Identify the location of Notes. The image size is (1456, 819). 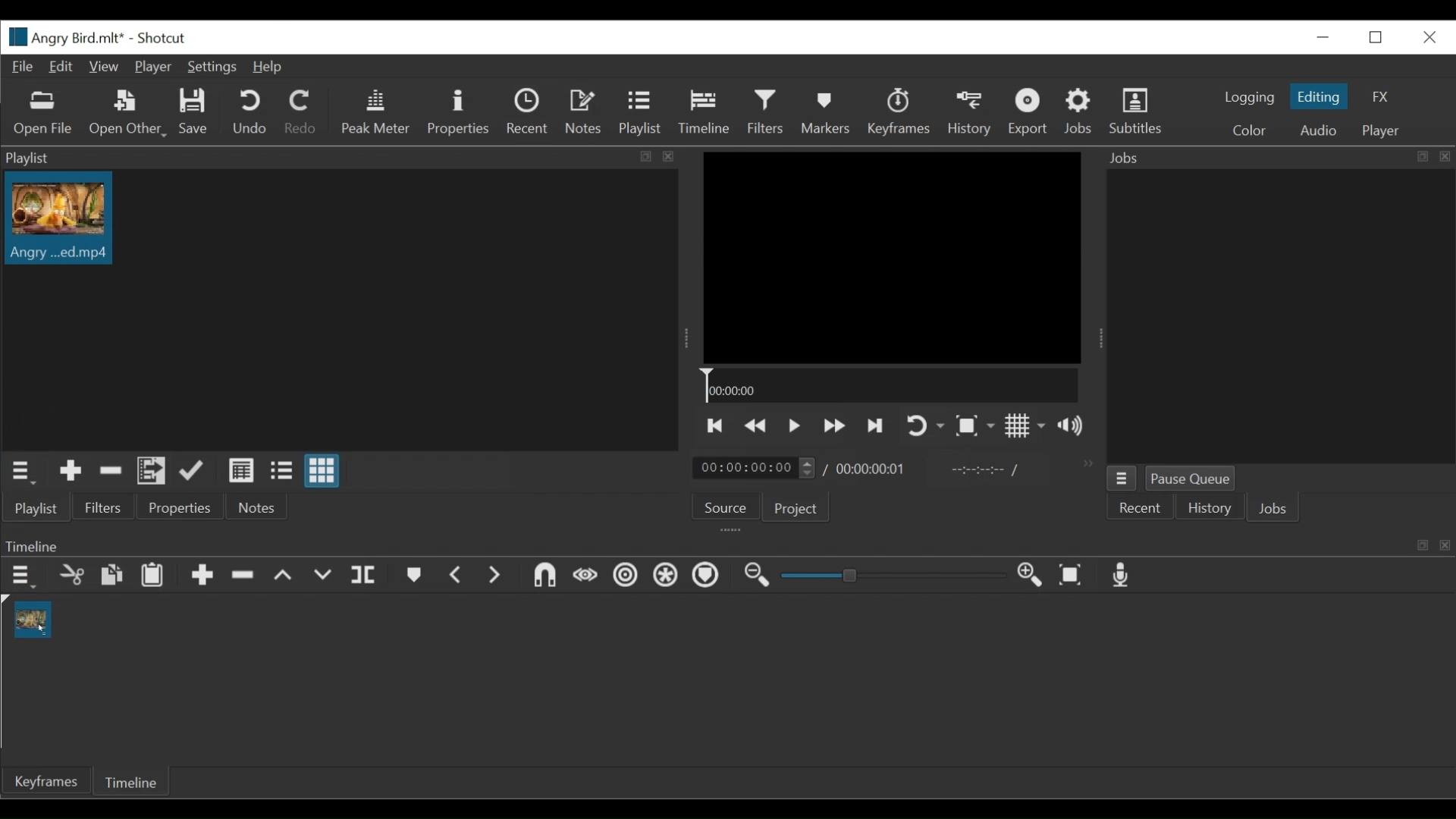
(584, 111).